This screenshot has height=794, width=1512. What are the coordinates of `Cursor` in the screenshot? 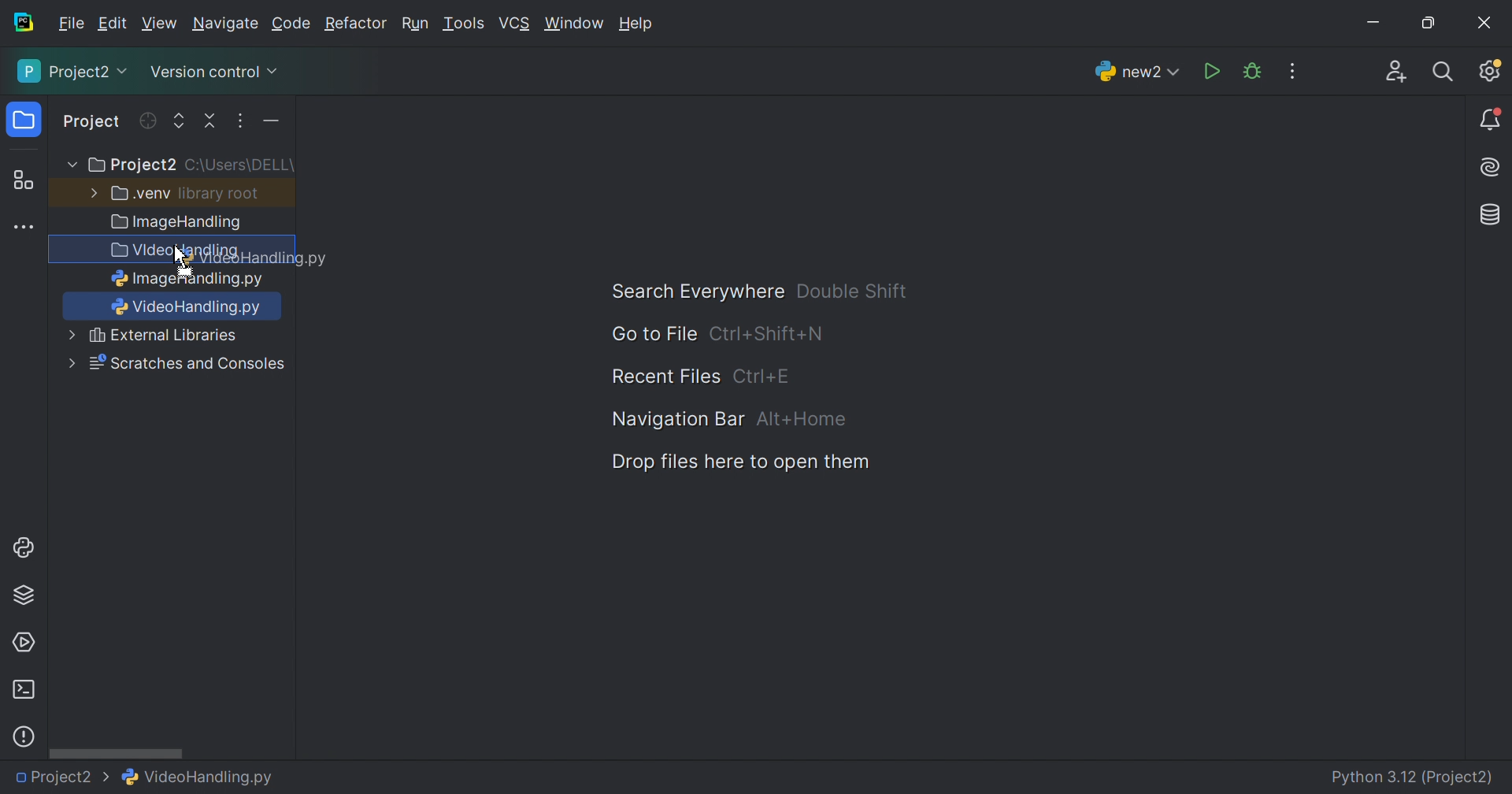 It's located at (179, 257).